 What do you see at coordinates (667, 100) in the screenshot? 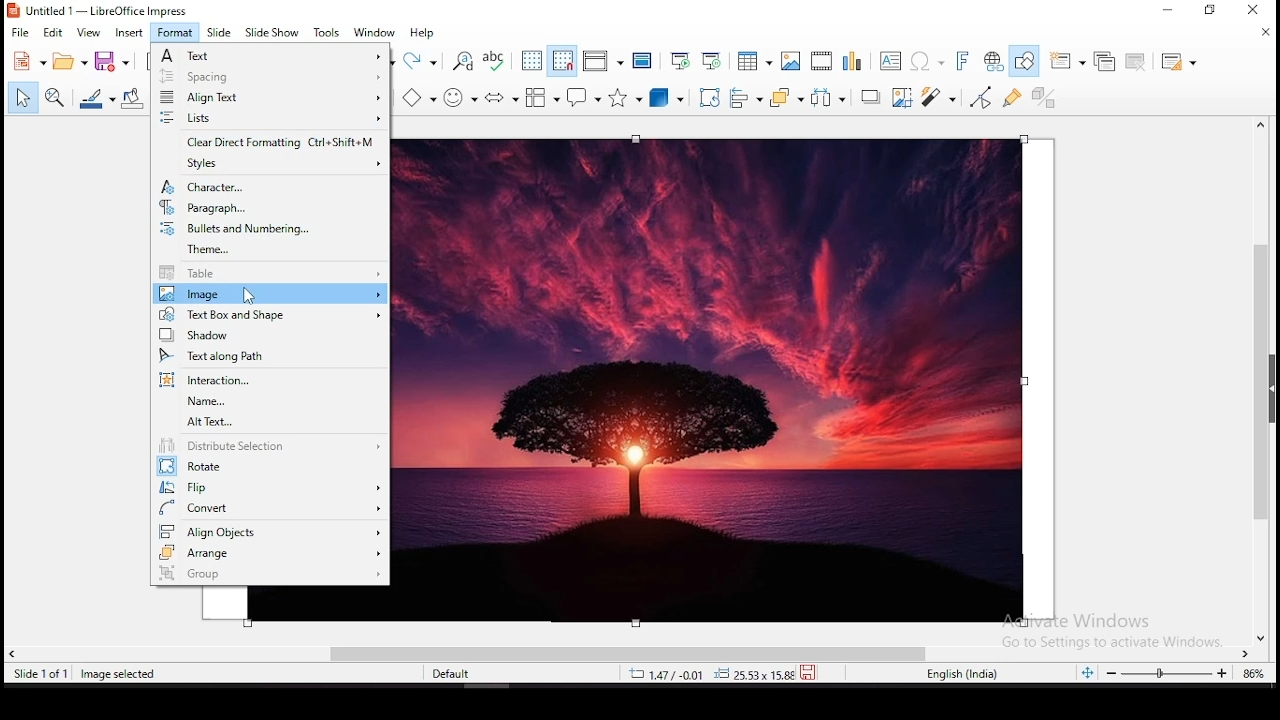
I see `3D shapes` at bounding box center [667, 100].